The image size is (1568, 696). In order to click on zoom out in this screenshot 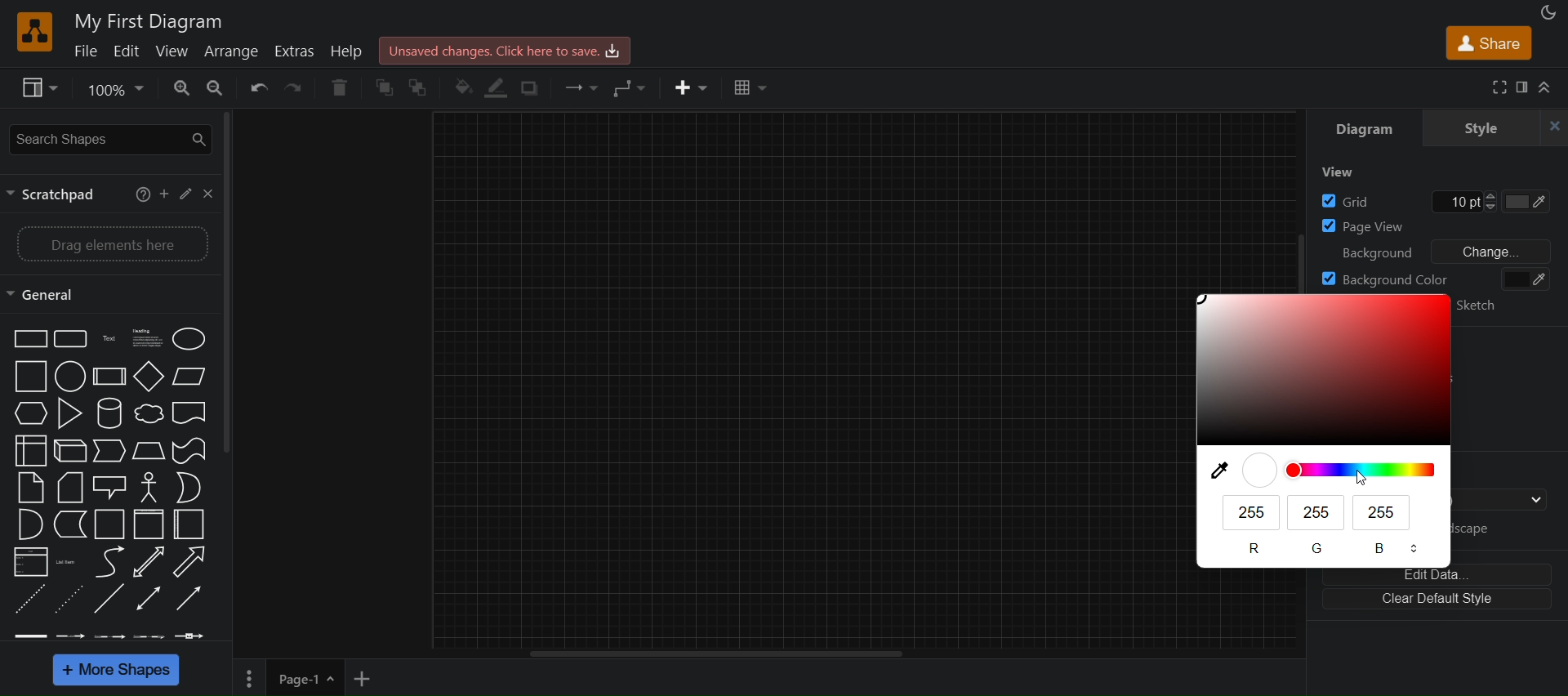, I will do `click(214, 90)`.